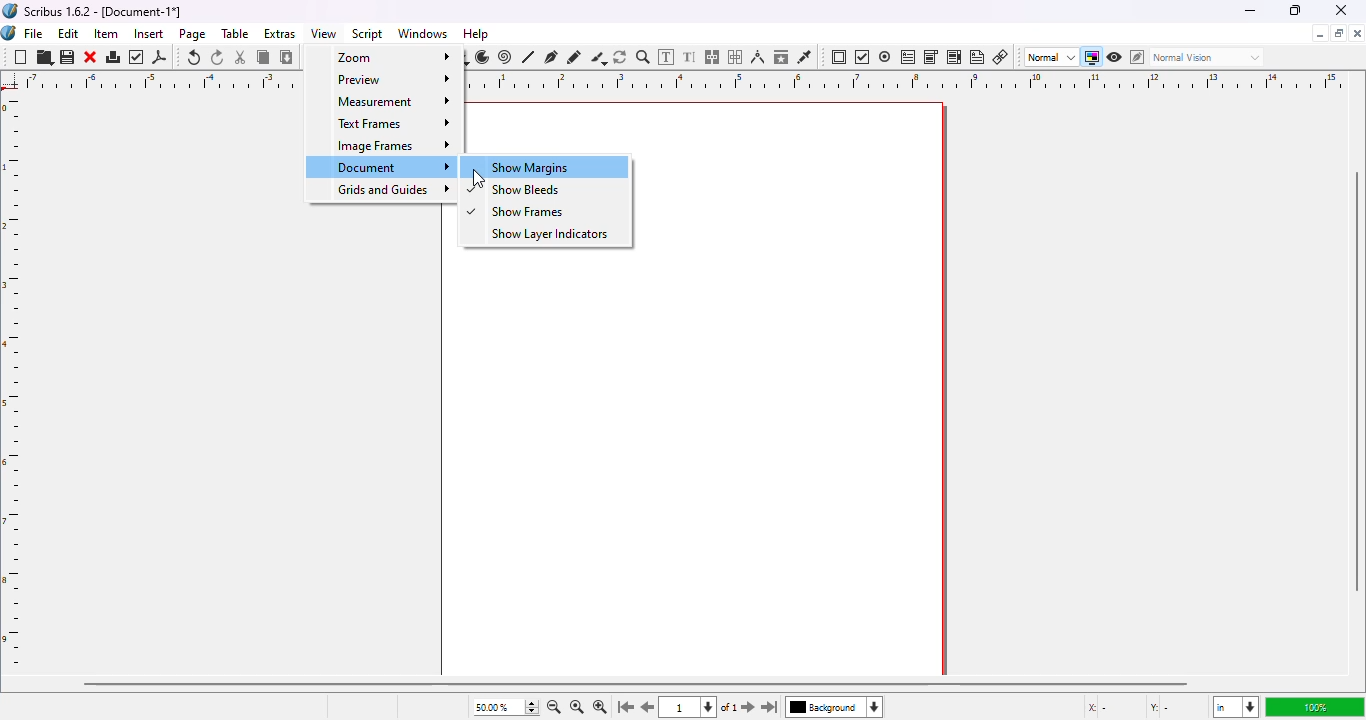 This screenshot has width=1366, height=720. What do you see at coordinates (160, 57) in the screenshot?
I see `export as PDF` at bounding box center [160, 57].